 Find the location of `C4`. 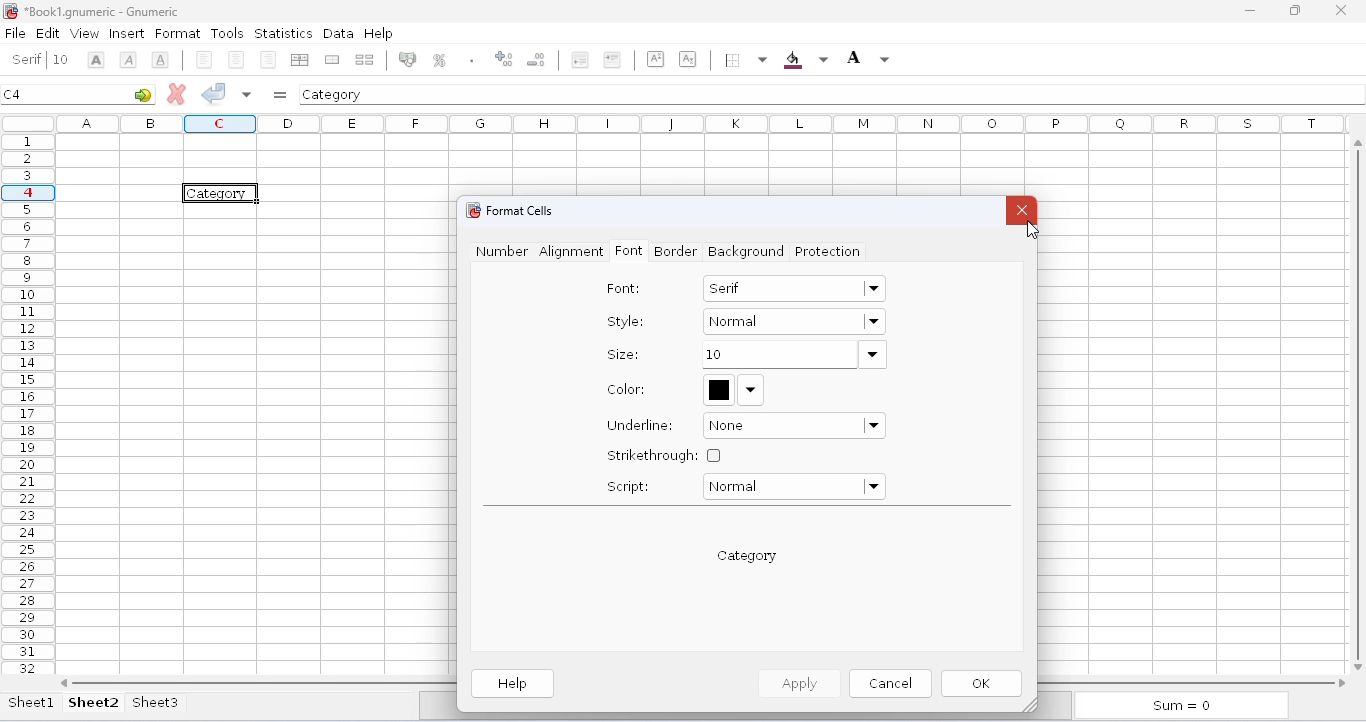

C4 is located at coordinates (13, 94).